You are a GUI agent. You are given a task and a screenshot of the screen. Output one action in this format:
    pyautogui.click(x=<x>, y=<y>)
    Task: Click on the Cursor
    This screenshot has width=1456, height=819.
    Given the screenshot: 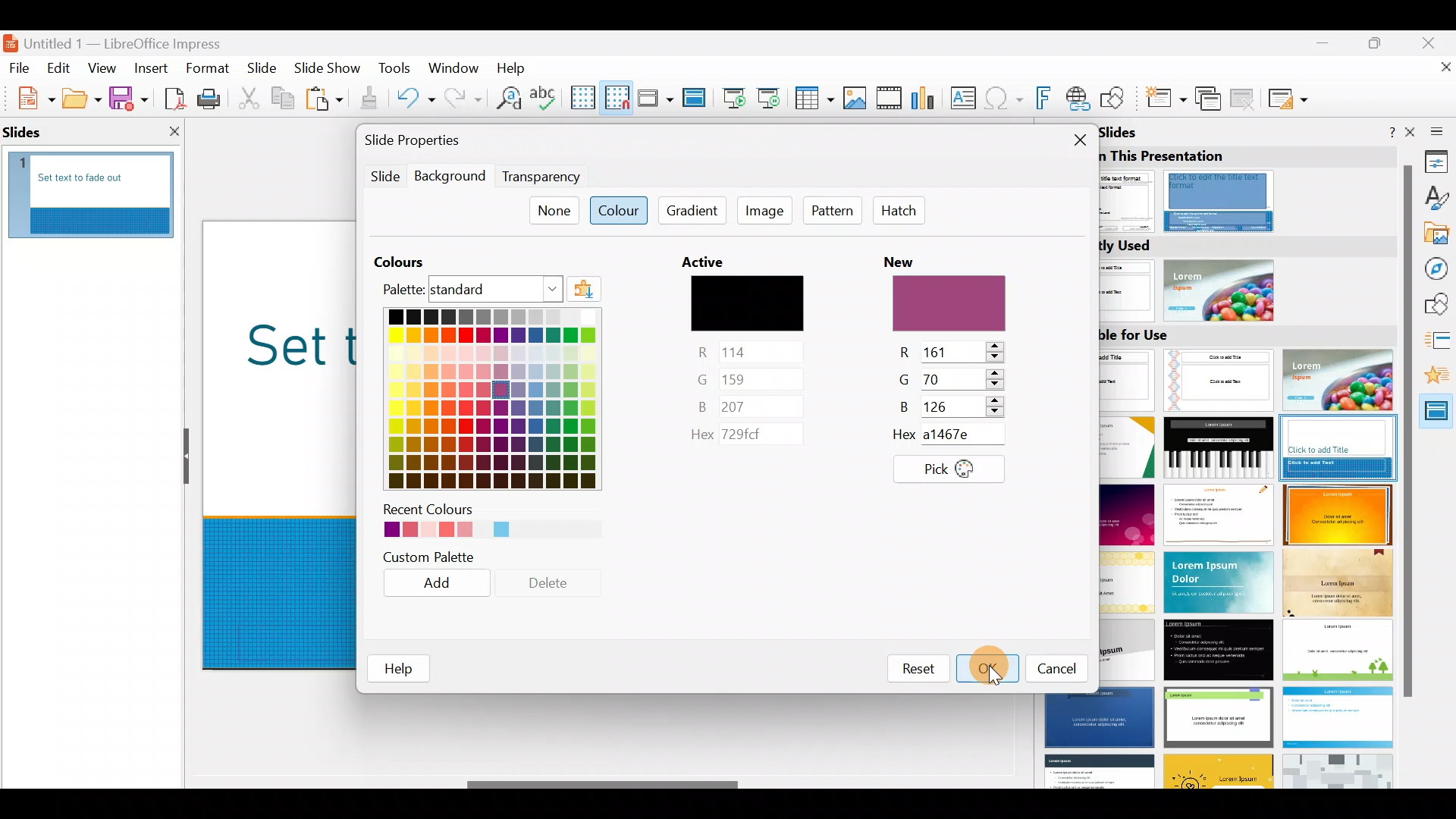 What is the action you would take?
    pyautogui.click(x=992, y=663)
    